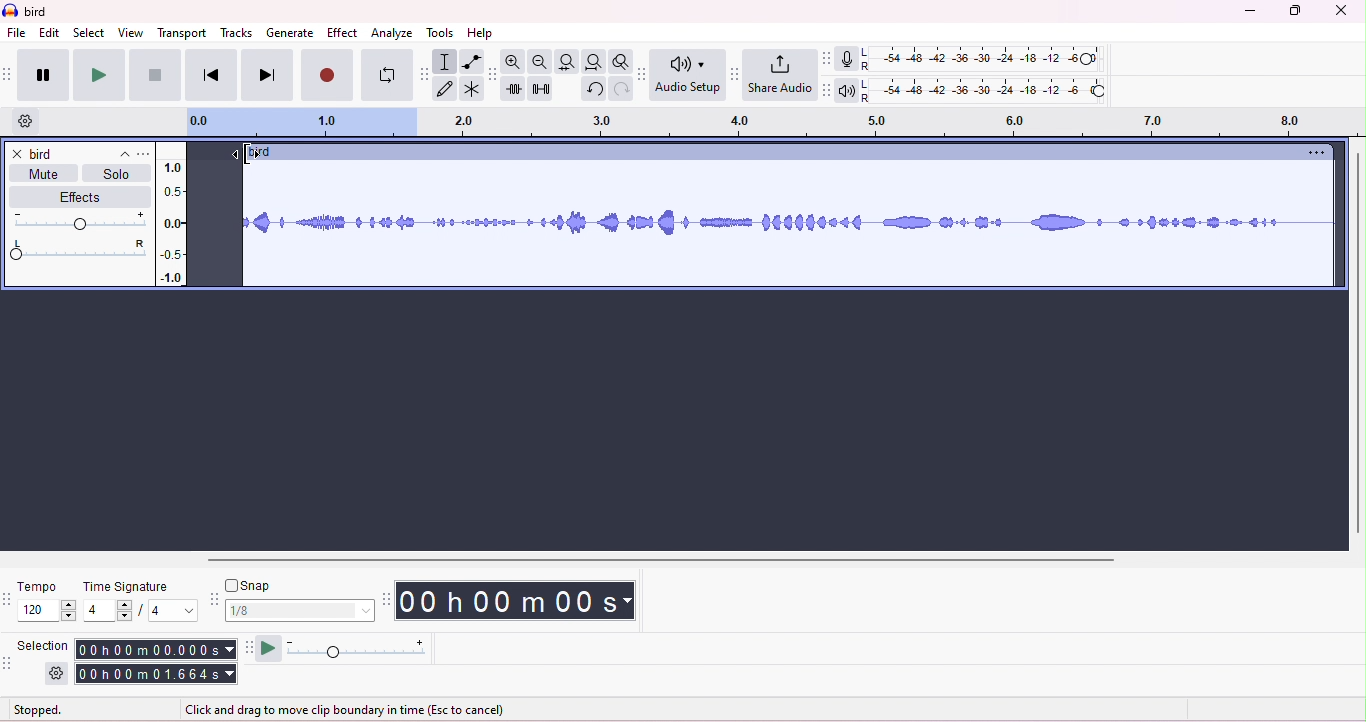 The height and width of the screenshot is (722, 1366). I want to click on toggle zoom, so click(621, 62).